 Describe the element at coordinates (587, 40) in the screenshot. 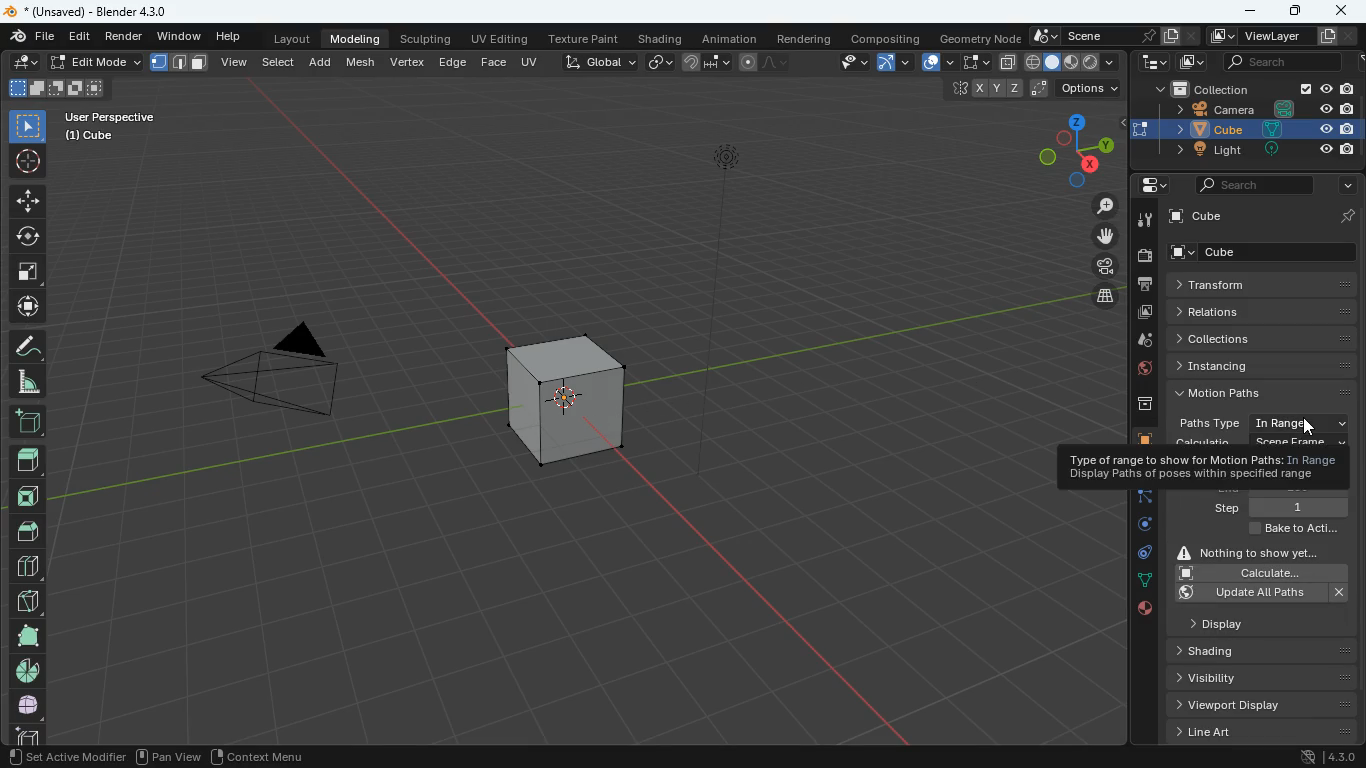

I see `texture` at that location.